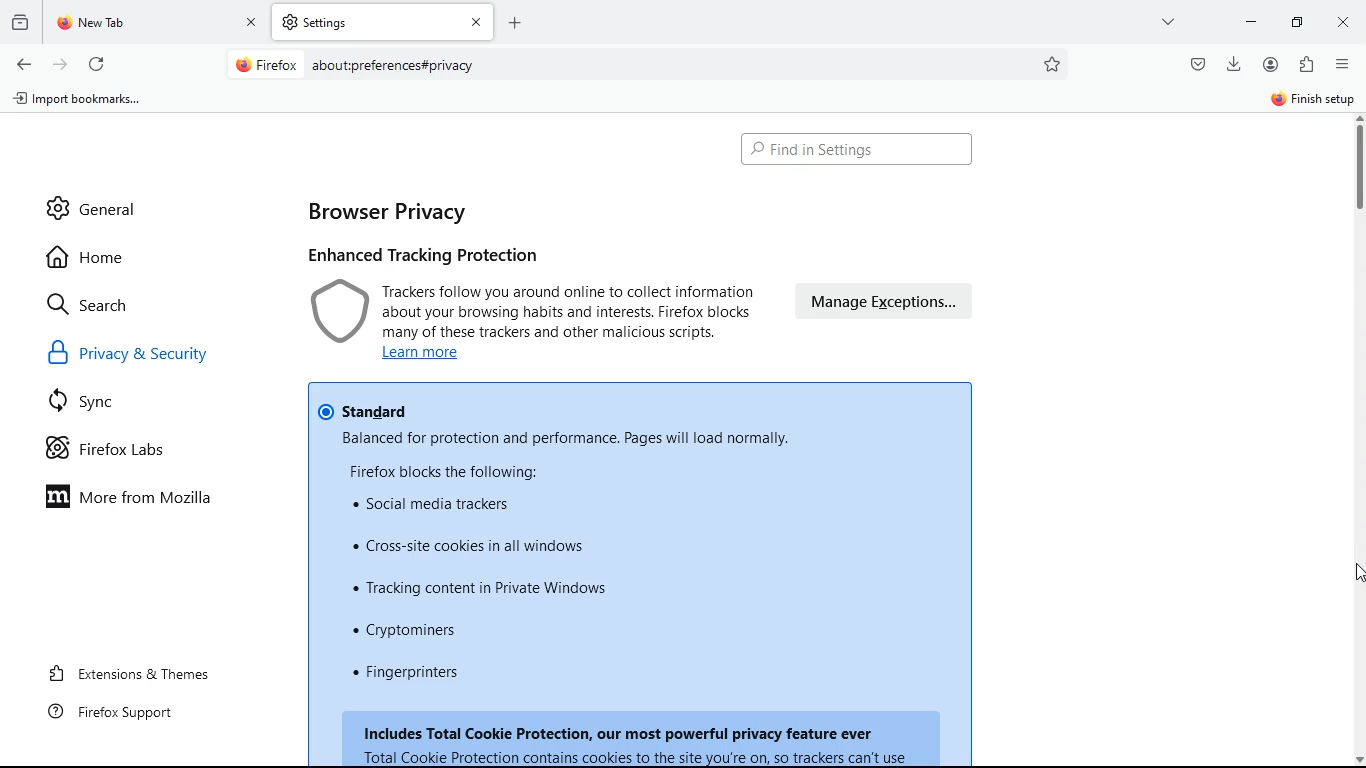 The image size is (1366, 768). I want to click on tracking content in Private window, so click(481, 589).